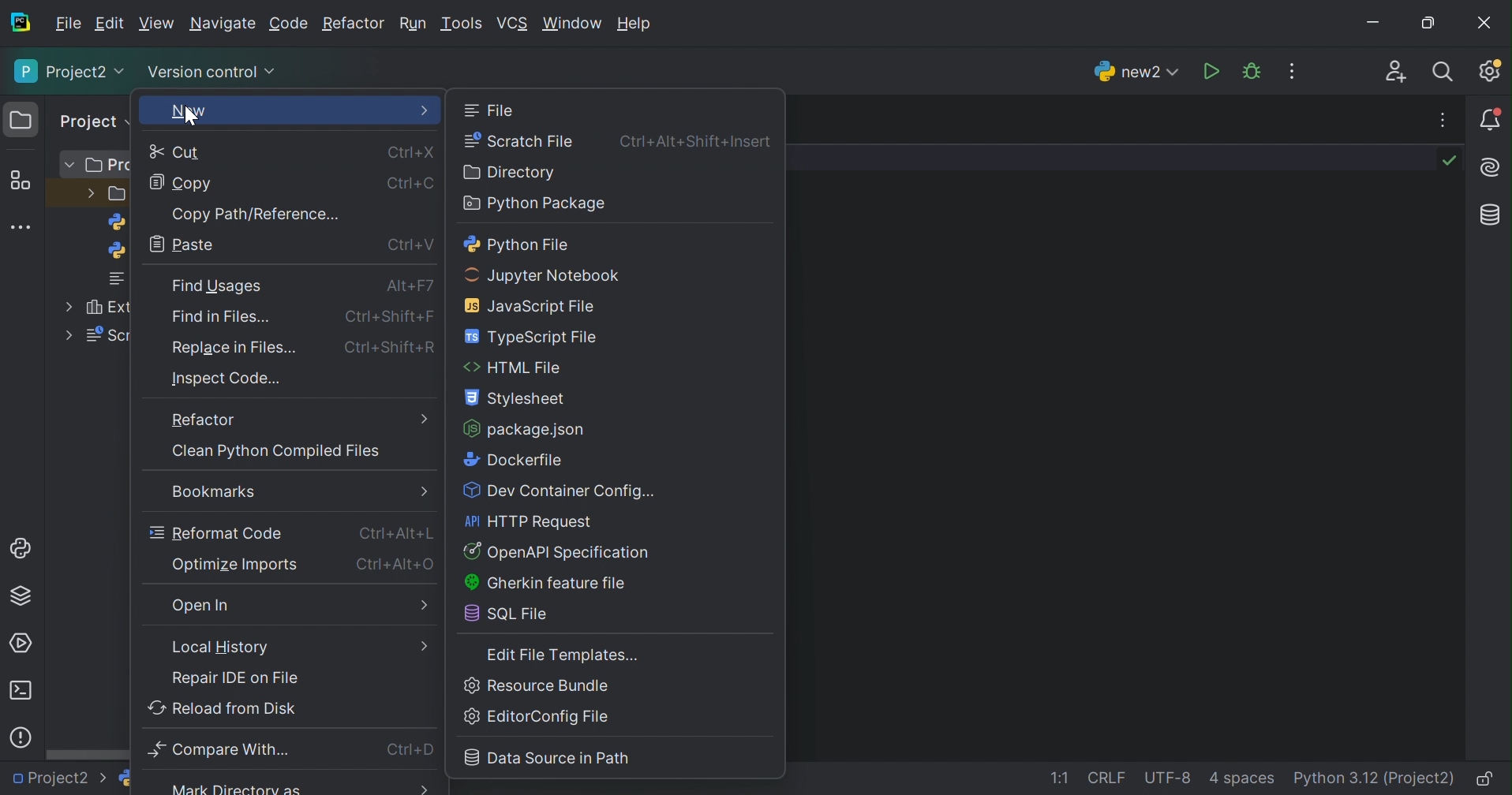  What do you see at coordinates (406, 752) in the screenshot?
I see `Ctrl+D` at bounding box center [406, 752].